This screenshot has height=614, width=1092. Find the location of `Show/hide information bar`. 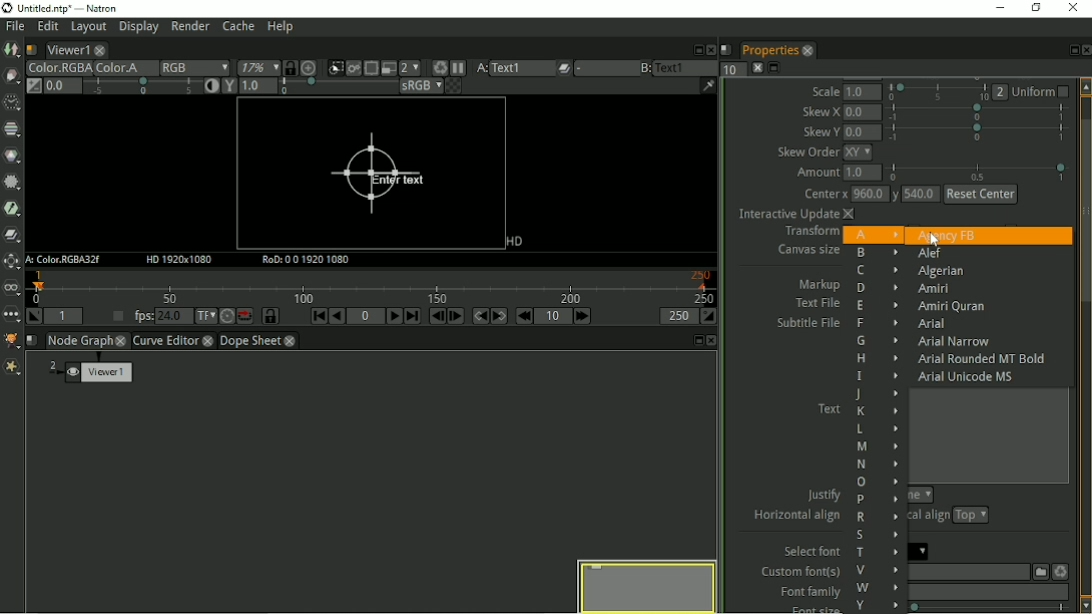

Show/hide information bar is located at coordinates (708, 85).